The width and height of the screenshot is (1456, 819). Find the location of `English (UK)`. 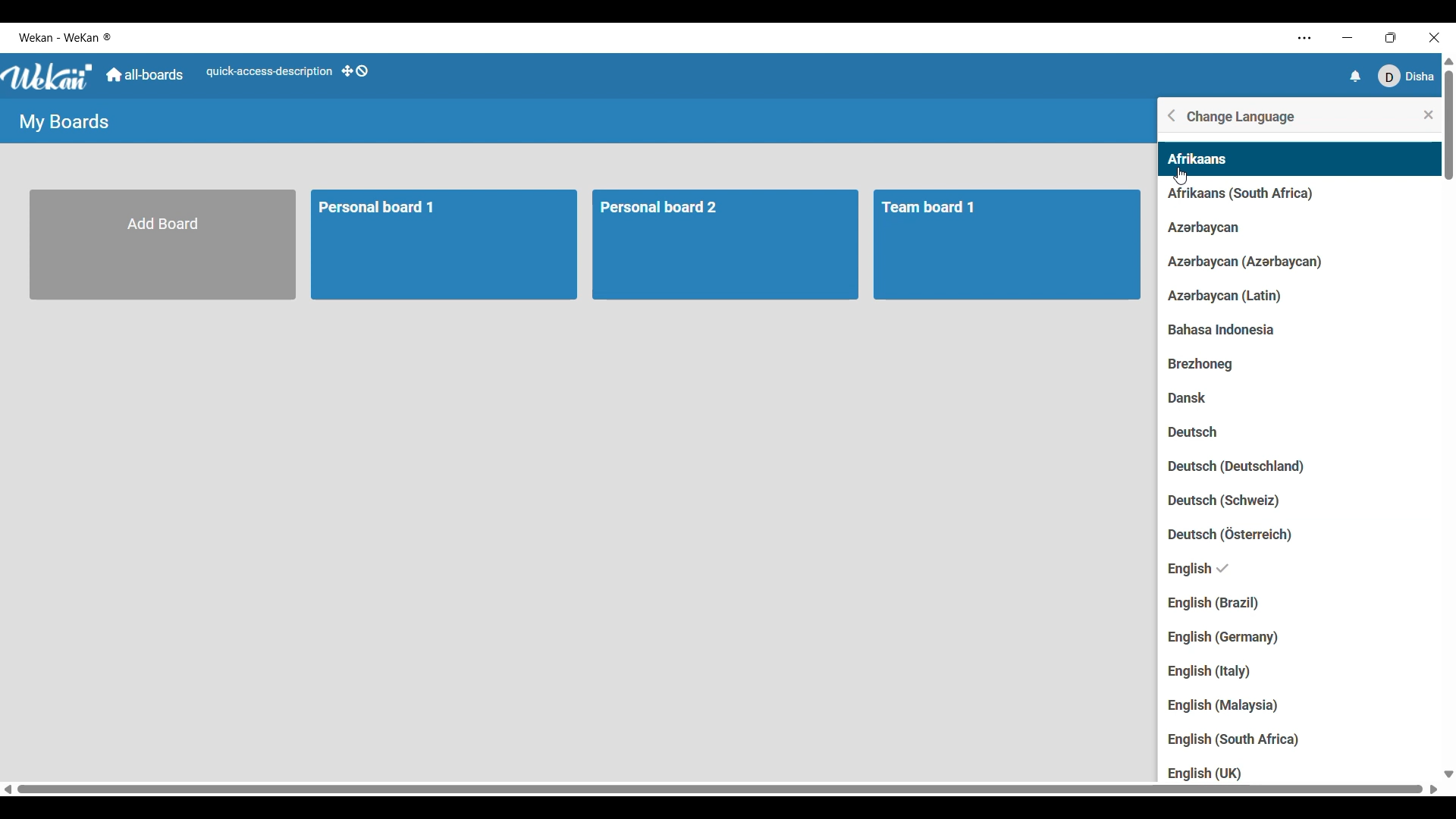

English (UK) is located at coordinates (1203, 773).